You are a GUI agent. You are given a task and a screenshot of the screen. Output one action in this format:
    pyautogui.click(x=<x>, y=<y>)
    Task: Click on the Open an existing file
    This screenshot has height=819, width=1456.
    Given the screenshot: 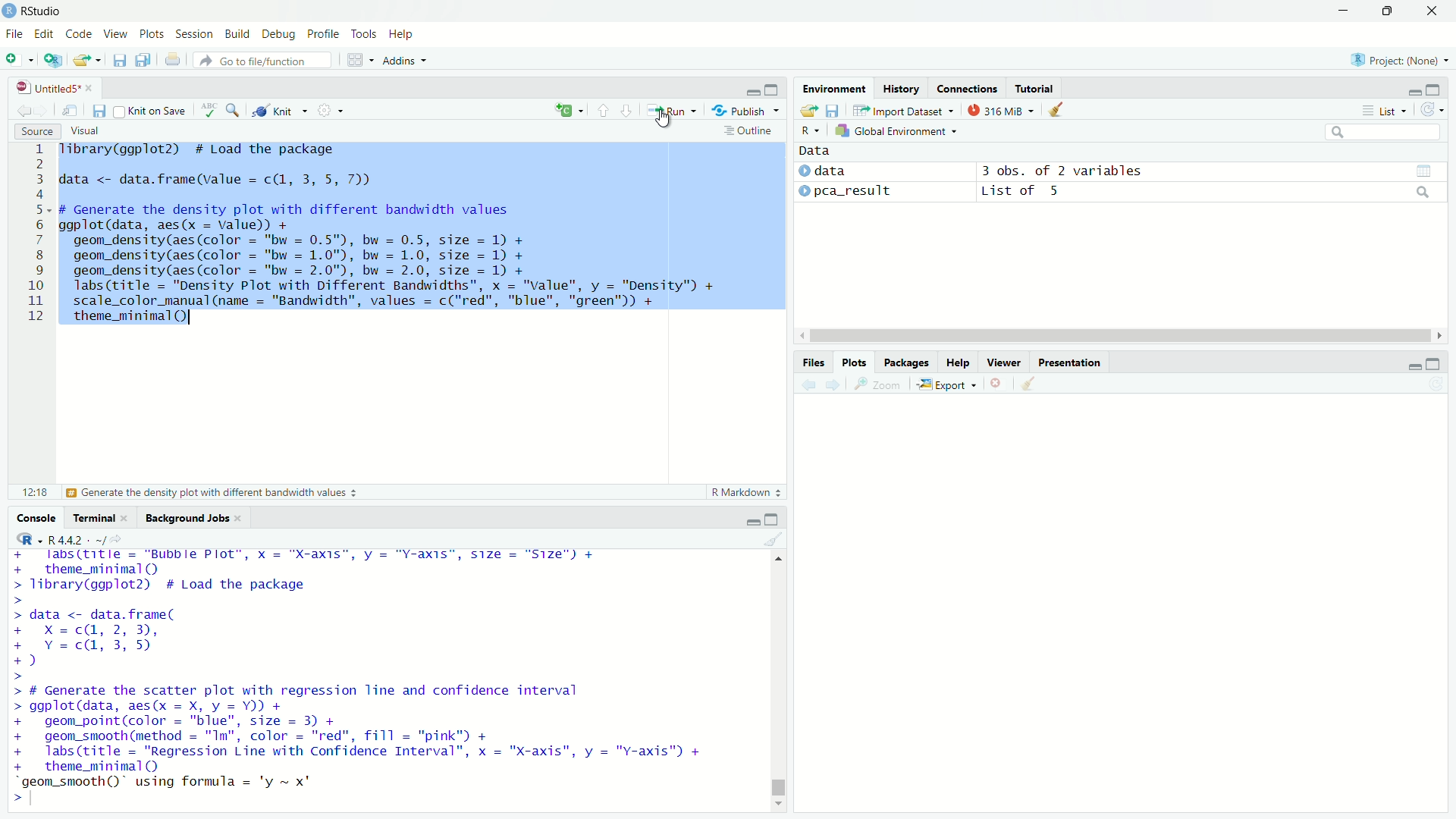 What is the action you would take?
    pyautogui.click(x=80, y=60)
    